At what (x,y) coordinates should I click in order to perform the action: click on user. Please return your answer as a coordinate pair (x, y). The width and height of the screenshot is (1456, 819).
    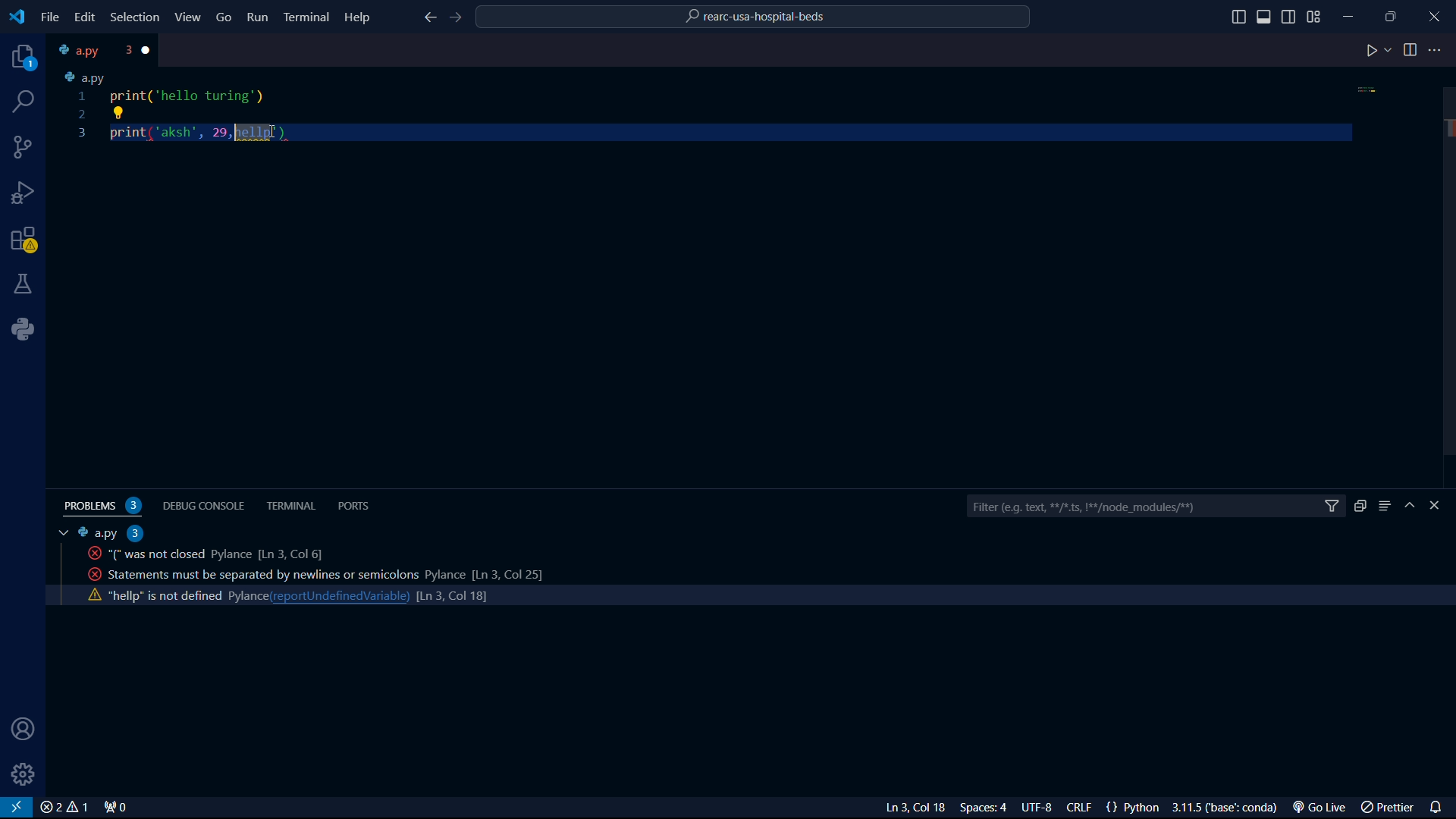
    Looking at the image, I should click on (19, 730).